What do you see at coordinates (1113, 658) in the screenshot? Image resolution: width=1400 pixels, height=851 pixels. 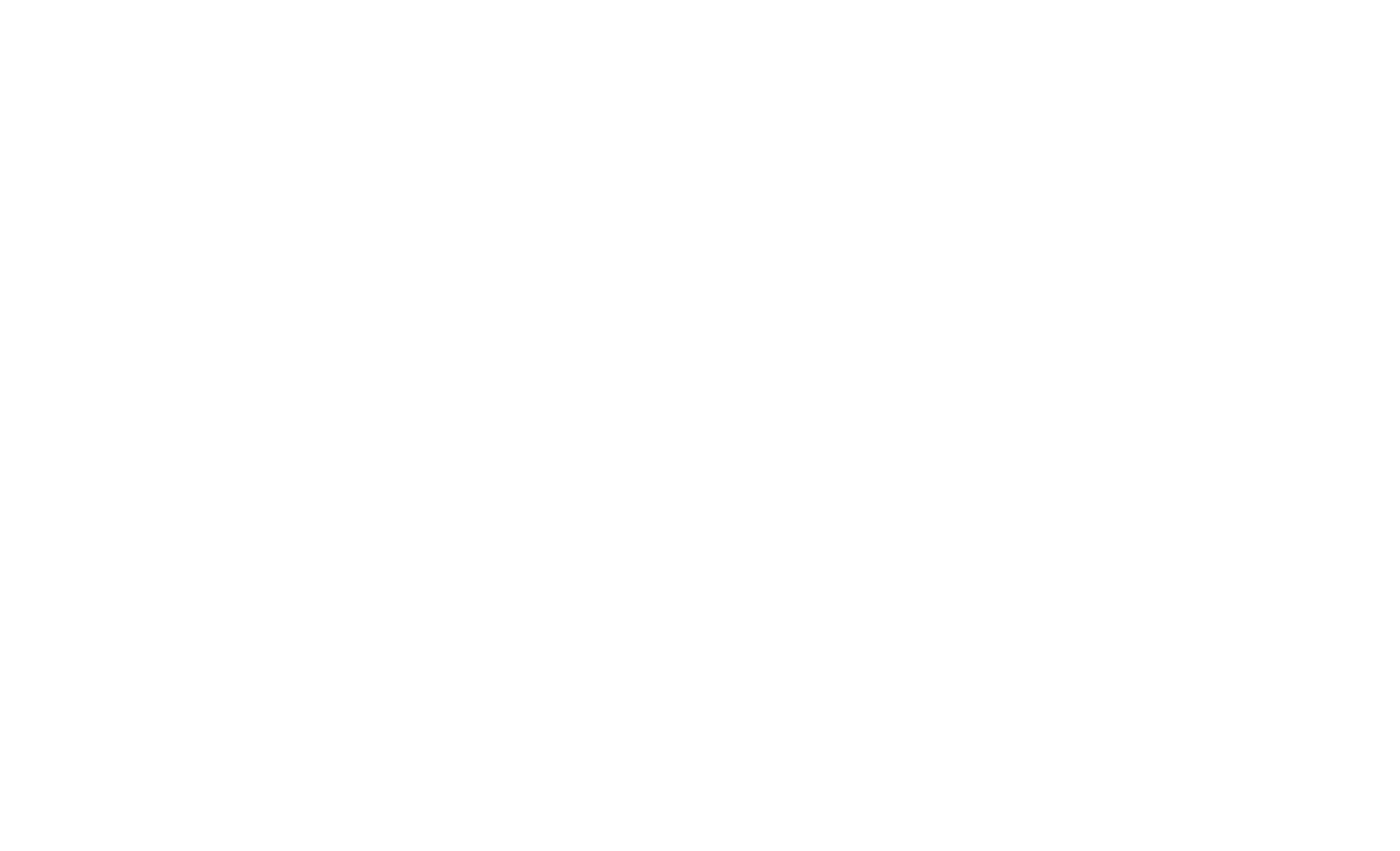 I see `Options` at bounding box center [1113, 658].